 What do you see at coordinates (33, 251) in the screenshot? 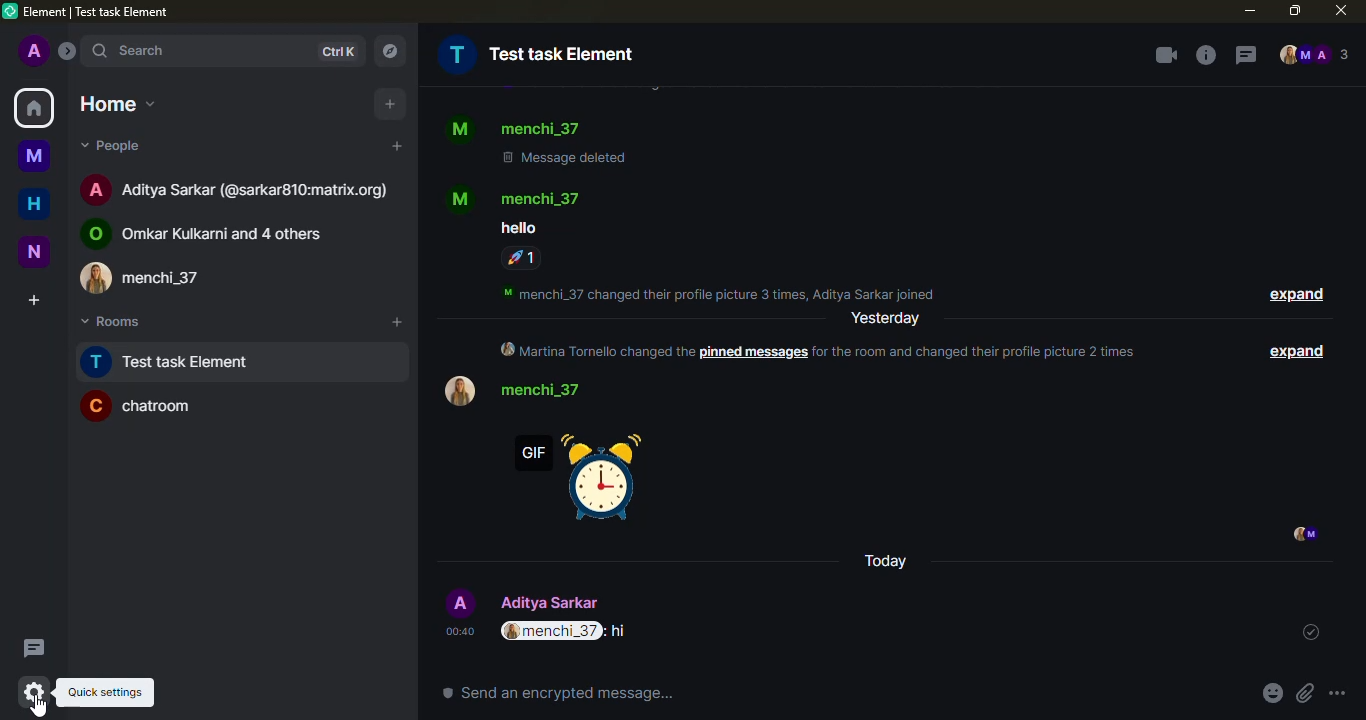
I see `new` at bounding box center [33, 251].